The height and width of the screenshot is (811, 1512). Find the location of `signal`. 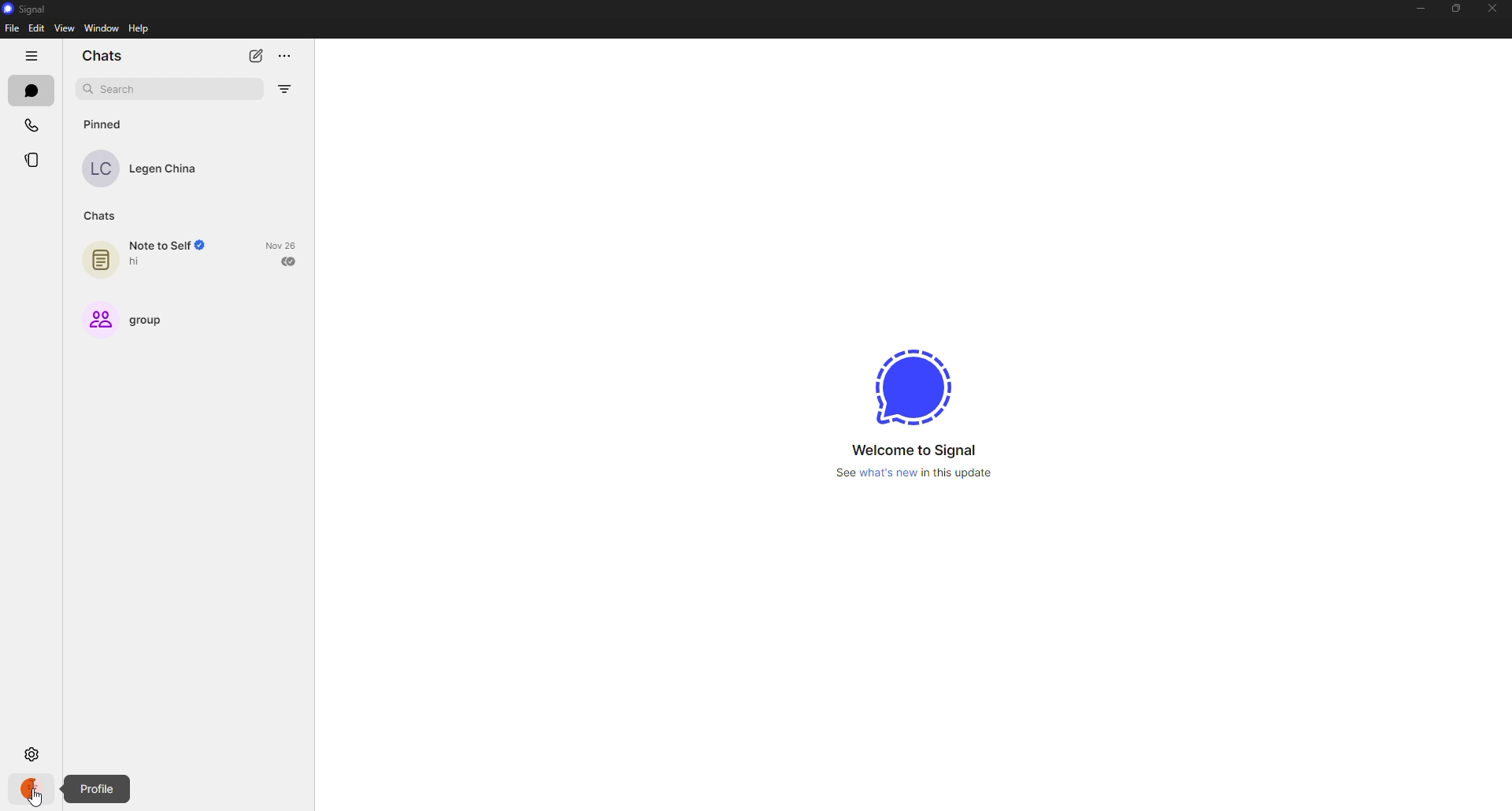

signal is located at coordinates (910, 383).